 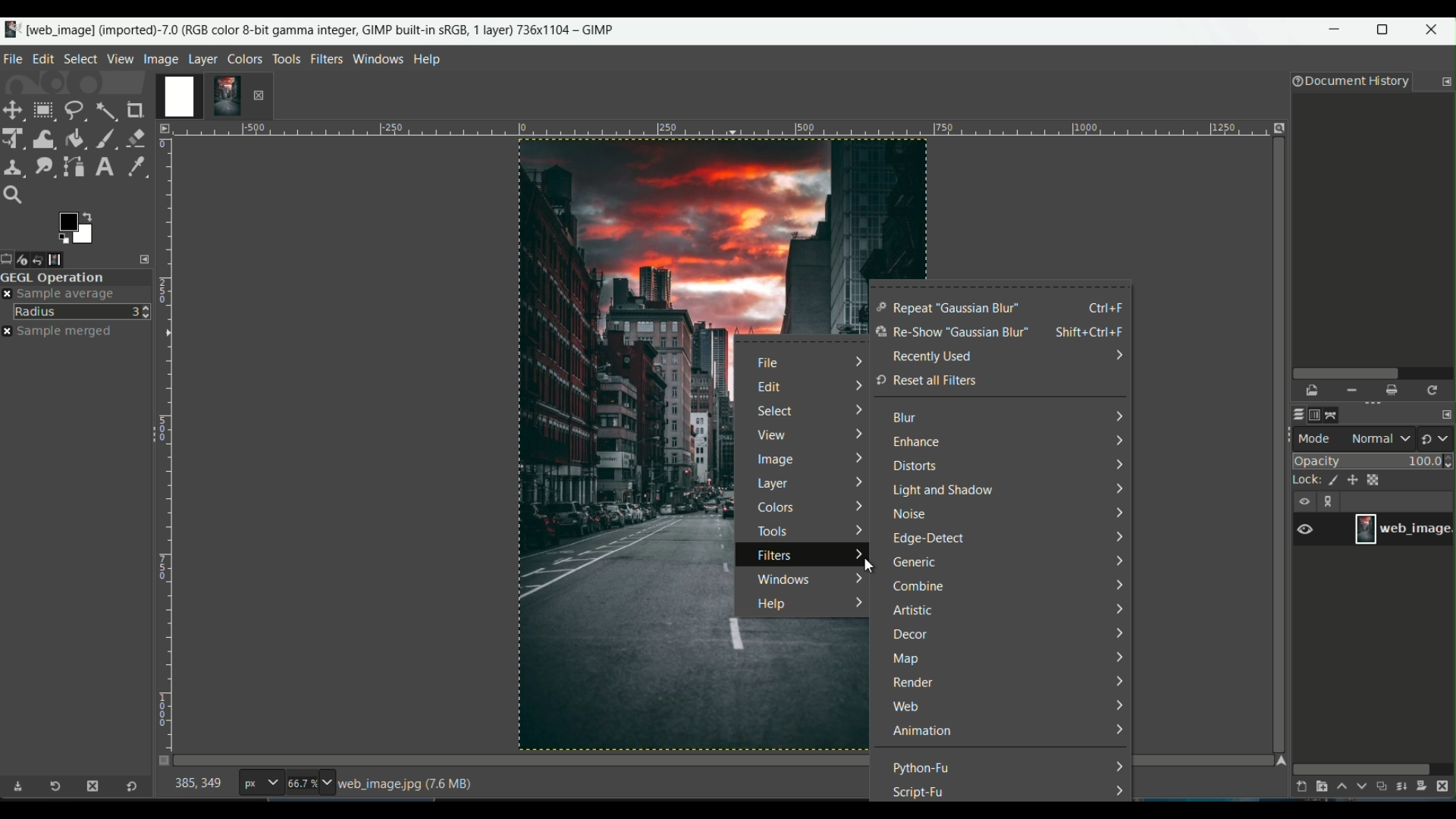 I want to click on app name, so click(x=309, y=28).